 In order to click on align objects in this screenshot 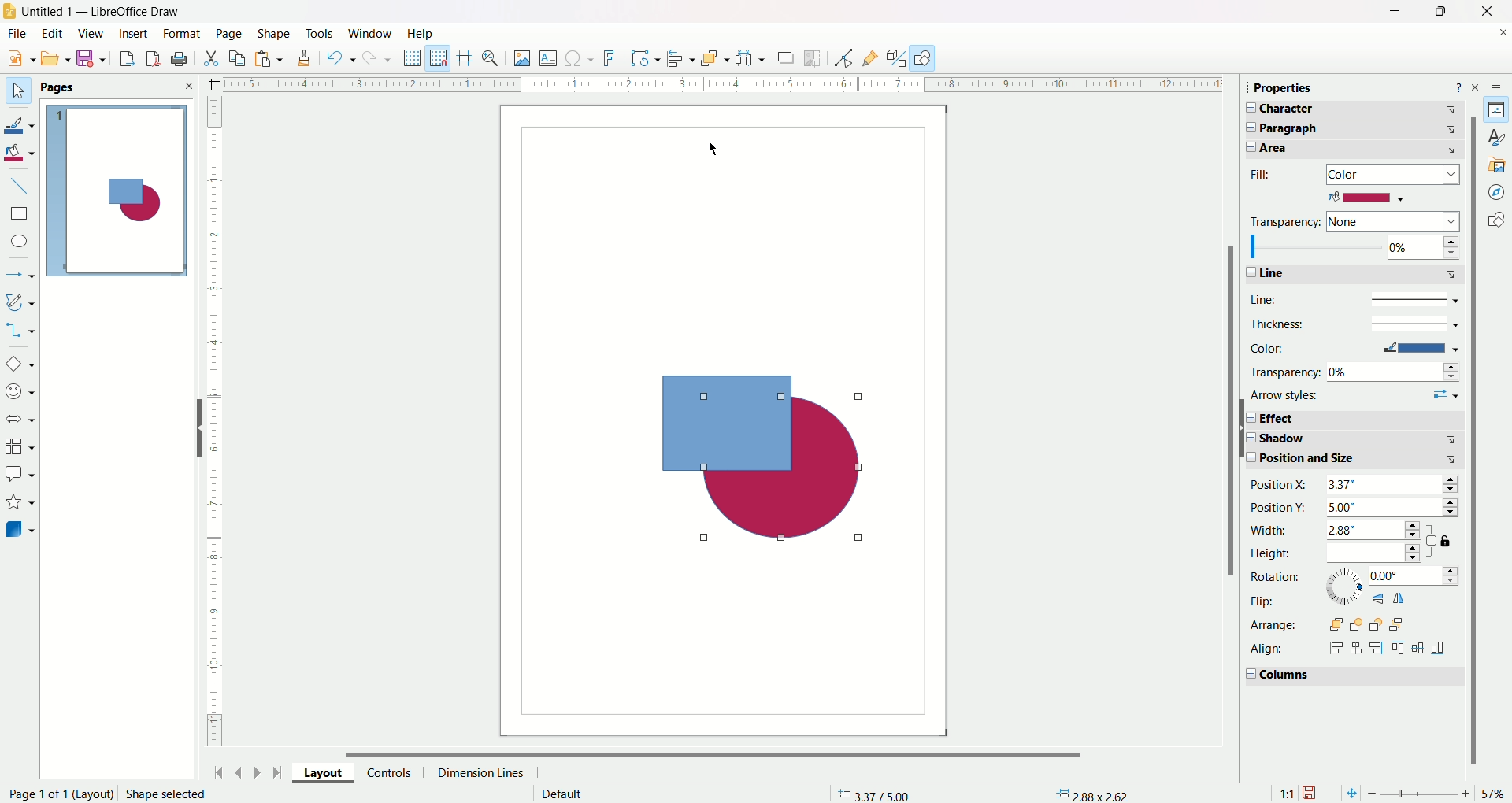, I will do `click(682, 61)`.